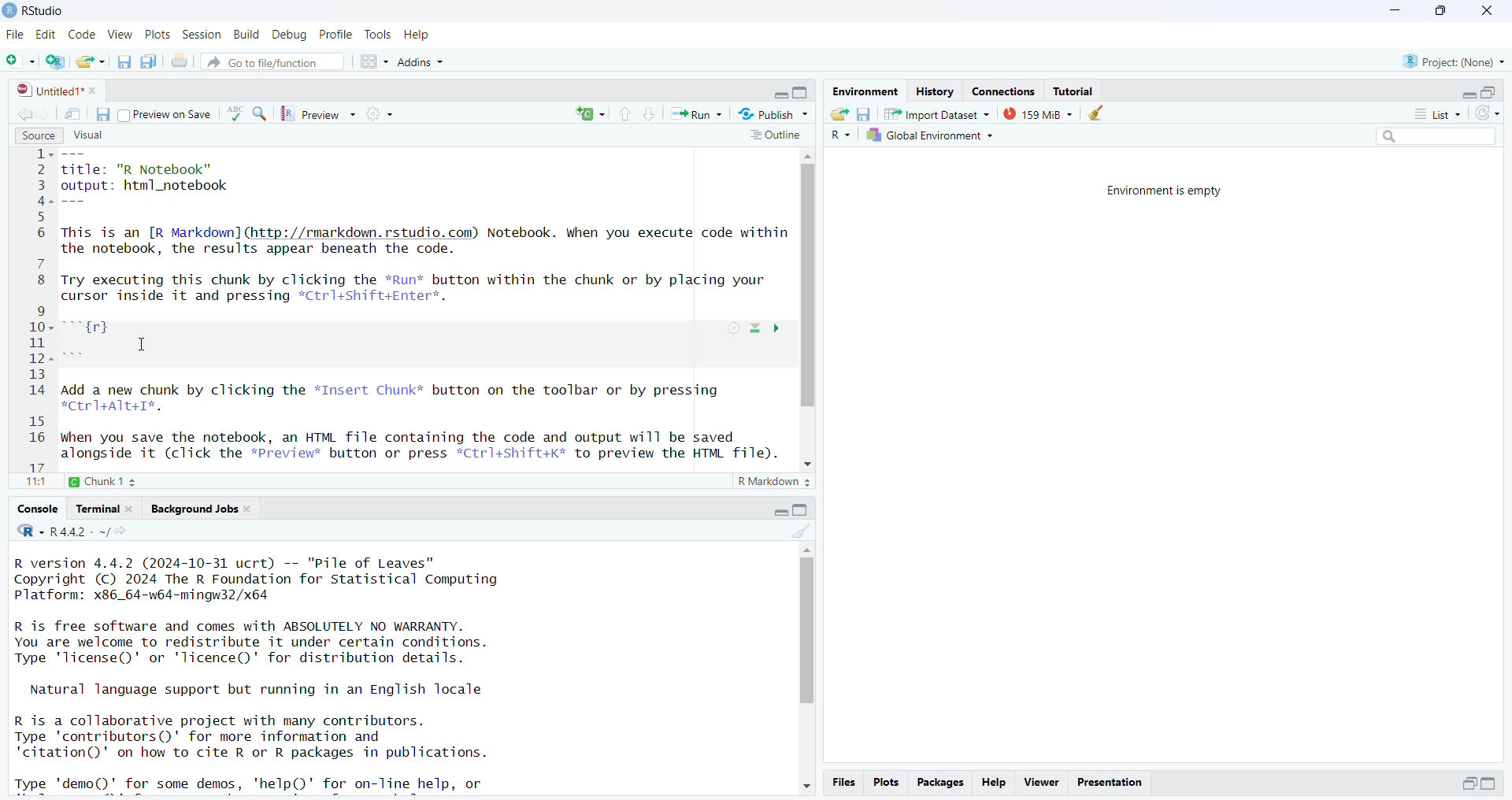  Describe the element at coordinates (418, 35) in the screenshot. I see `help` at that location.